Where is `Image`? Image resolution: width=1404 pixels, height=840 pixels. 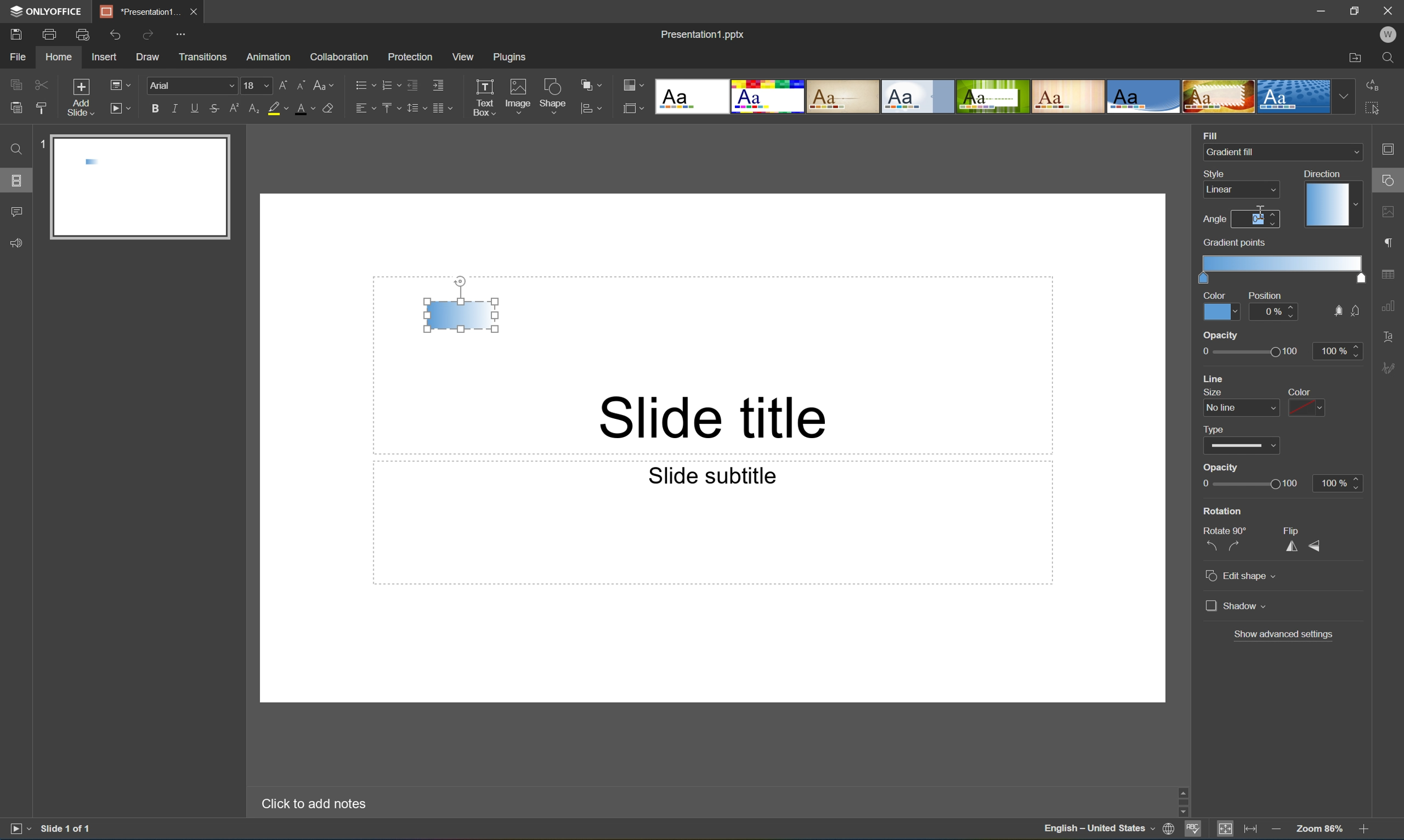
Image is located at coordinates (519, 98).